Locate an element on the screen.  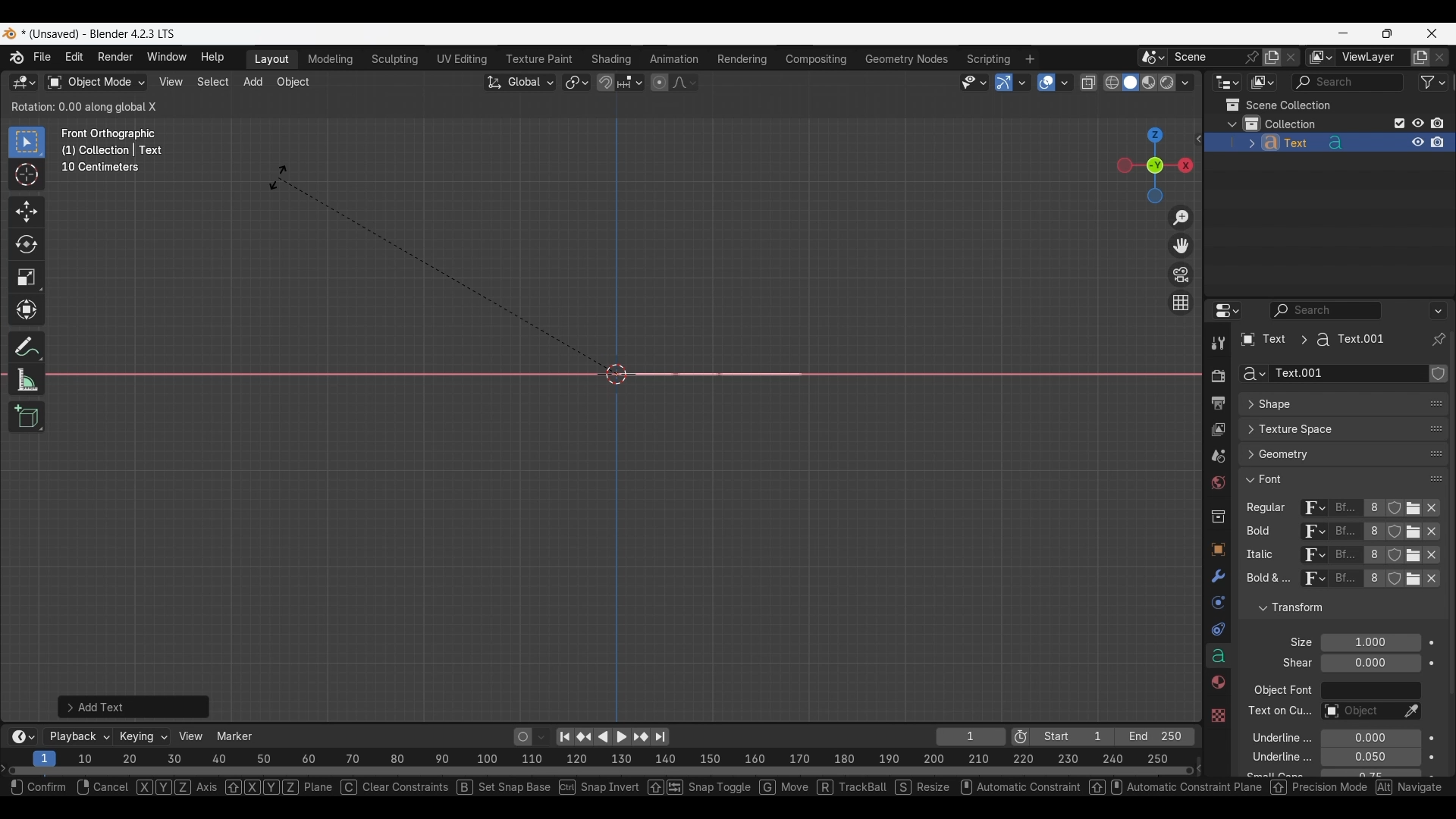
Project and software name is located at coordinates (99, 34).